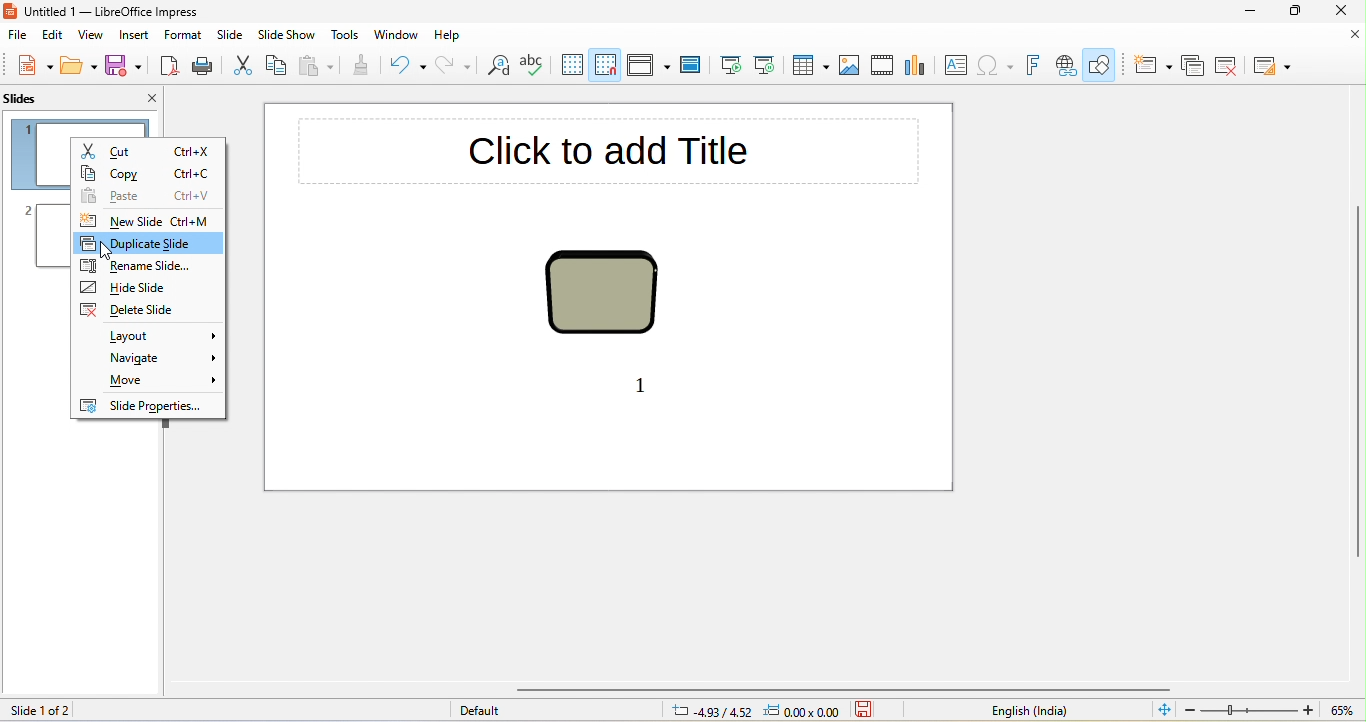 The width and height of the screenshot is (1366, 722). What do you see at coordinates (1269, 711) in the screenshot?
I see `zoom` at bounding box center [1269, 711].